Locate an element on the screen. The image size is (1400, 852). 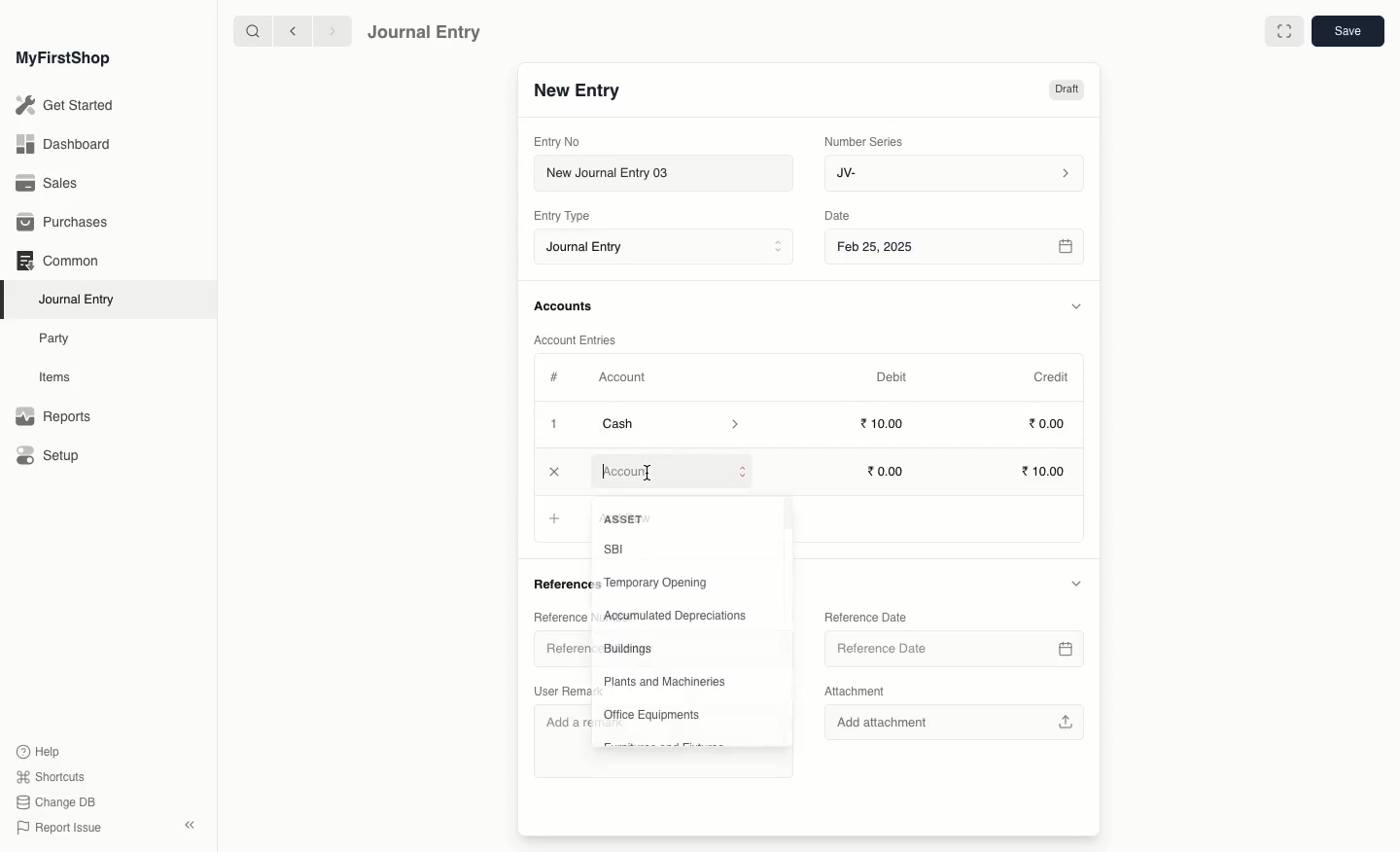
search is located at coordinates (248, 31).